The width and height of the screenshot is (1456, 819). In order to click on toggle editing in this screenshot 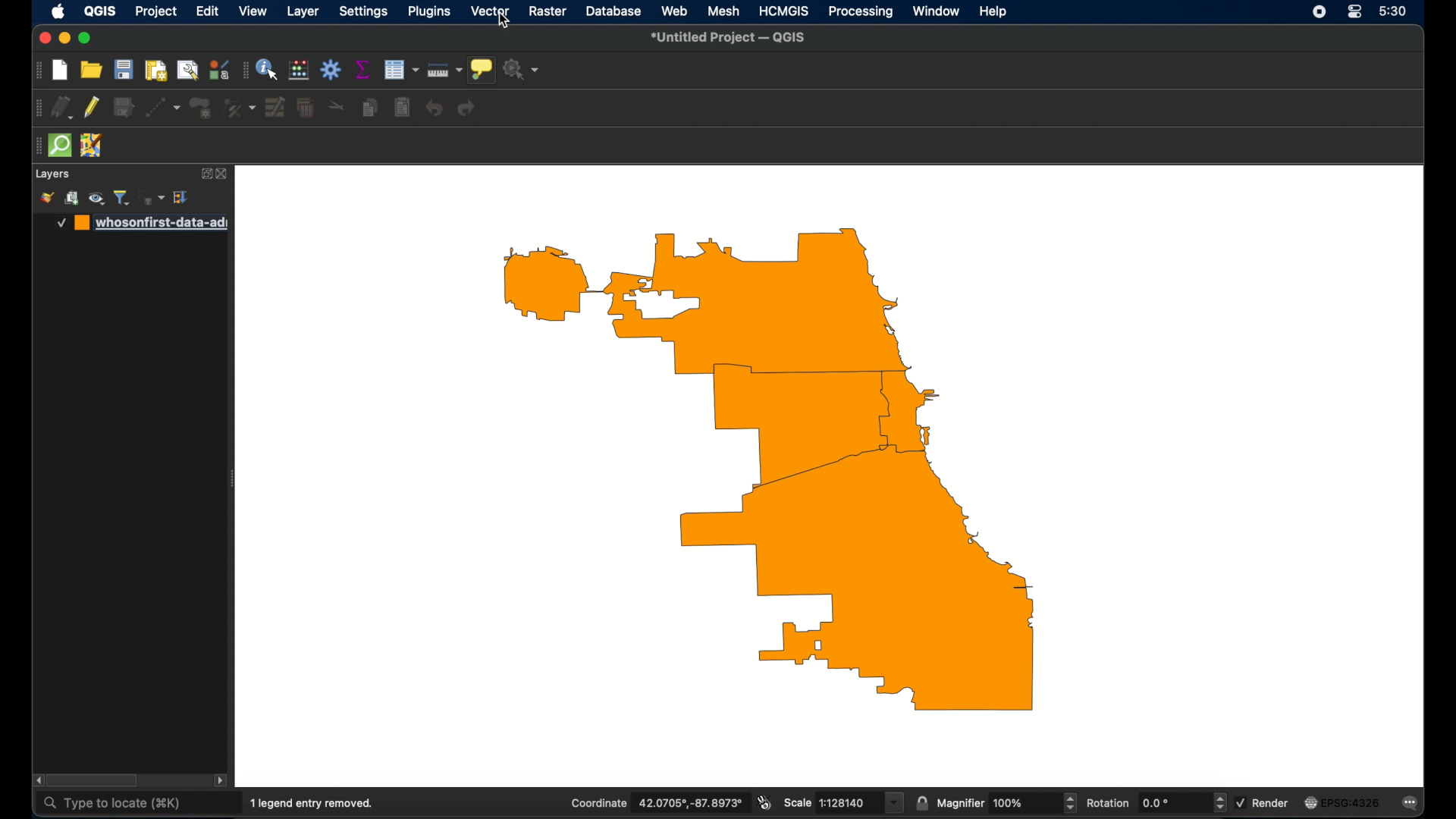, I will do `click(92, 108)`.